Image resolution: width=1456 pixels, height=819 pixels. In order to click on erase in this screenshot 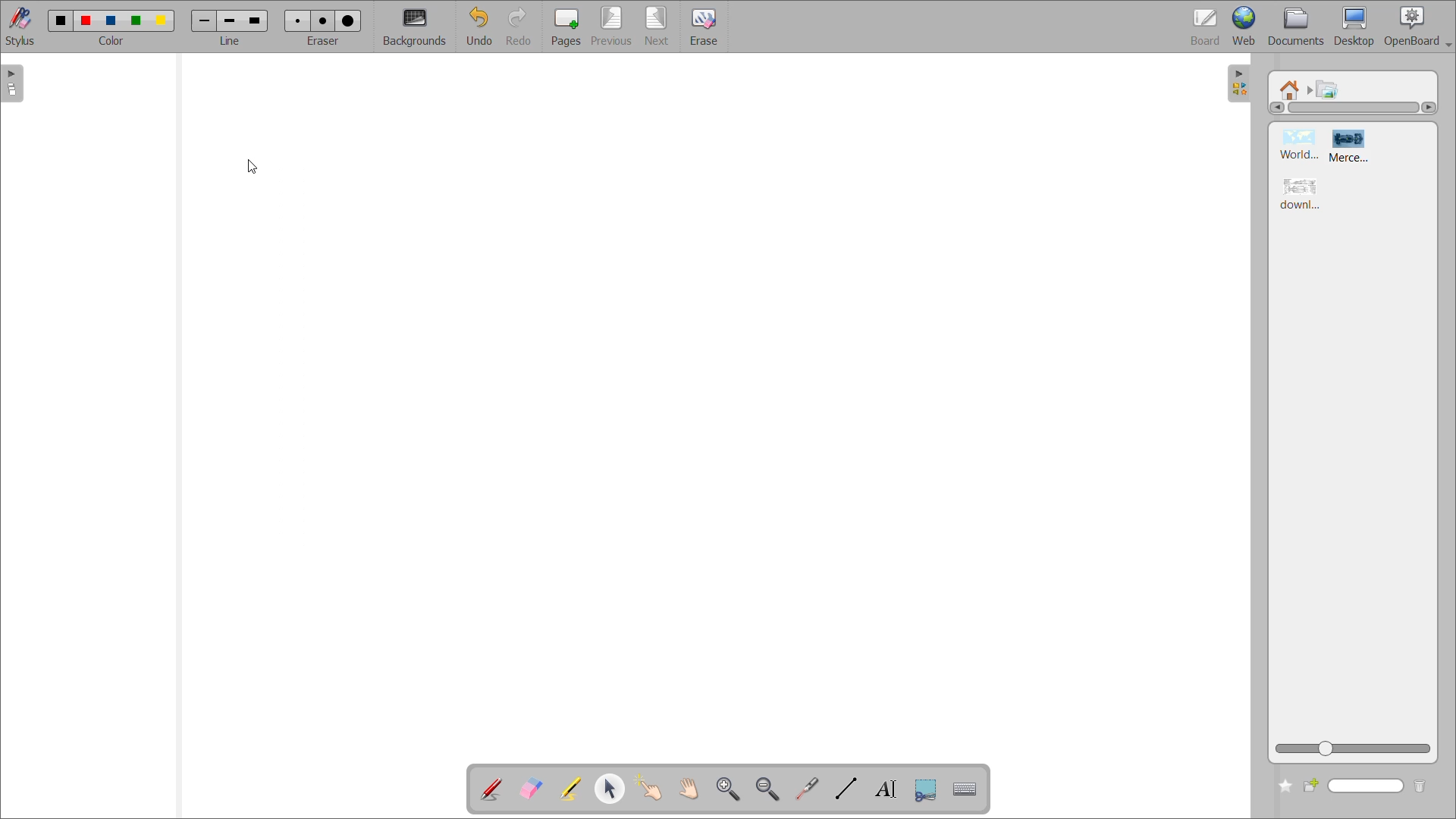, I will do `click(705, 27)`.